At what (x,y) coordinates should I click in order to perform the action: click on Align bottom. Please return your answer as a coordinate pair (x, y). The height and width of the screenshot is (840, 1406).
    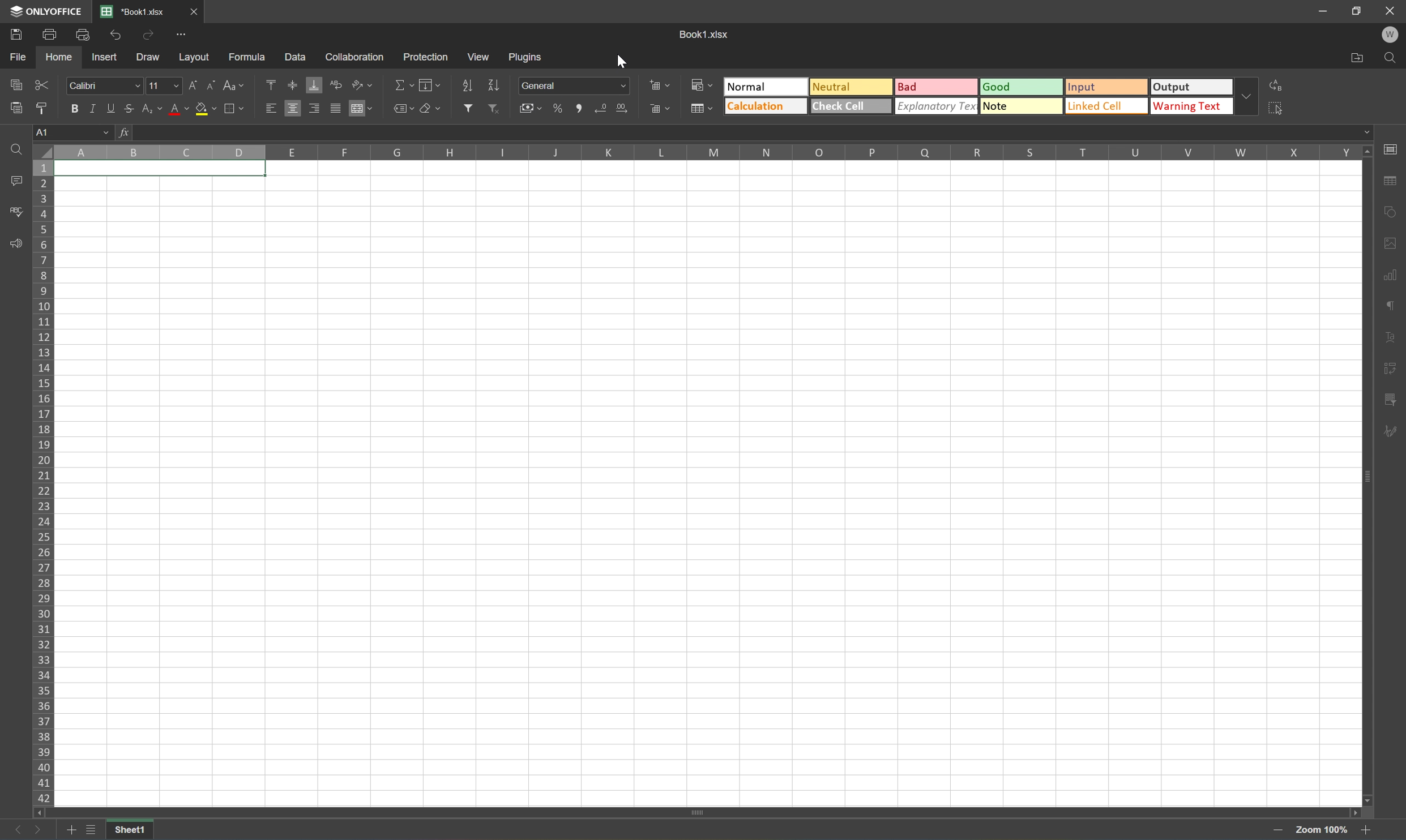
    Looking at the image, I should click on (314, 84).